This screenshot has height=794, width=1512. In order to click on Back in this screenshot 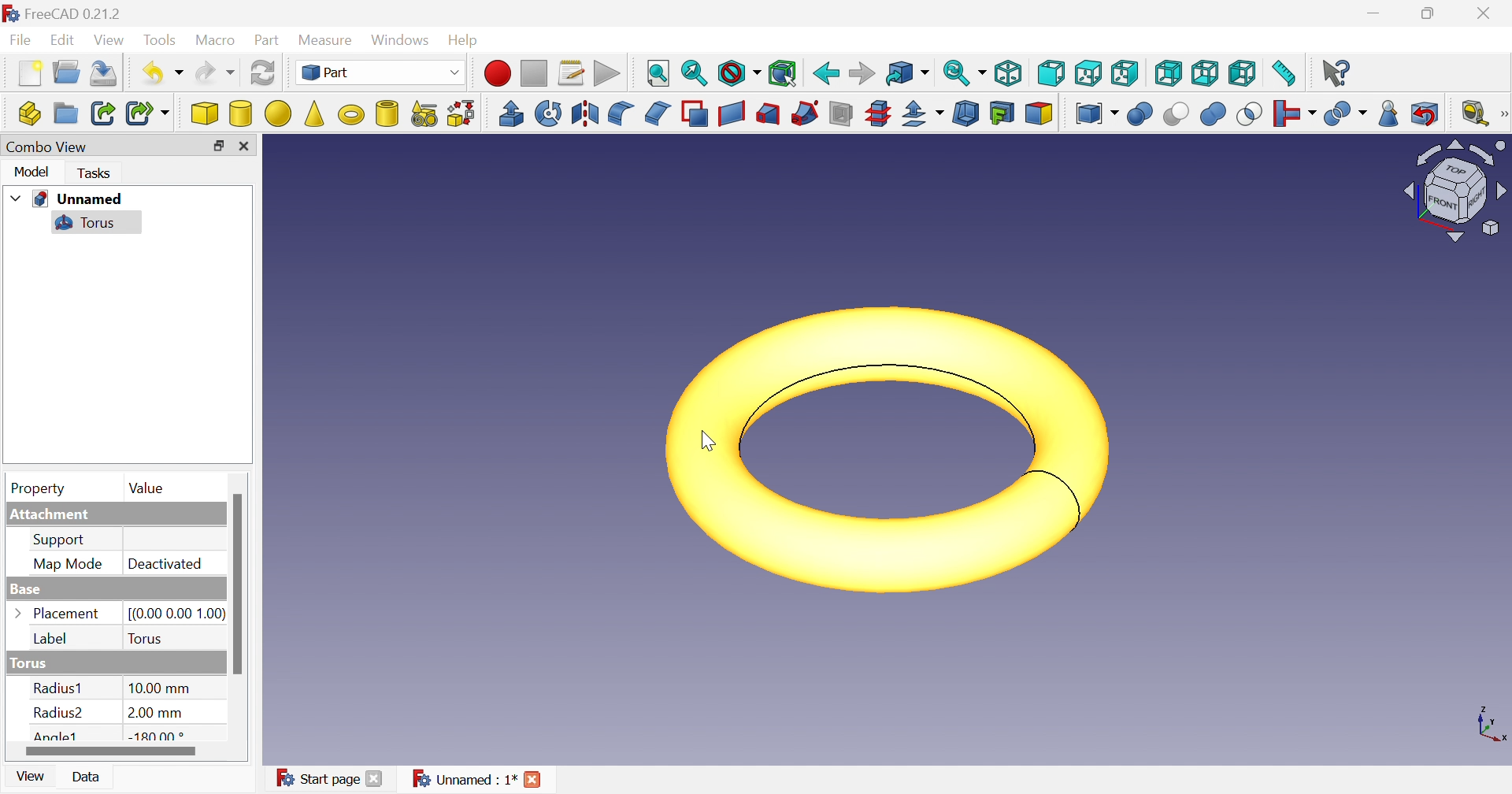, I will do `click(825, 73)`.